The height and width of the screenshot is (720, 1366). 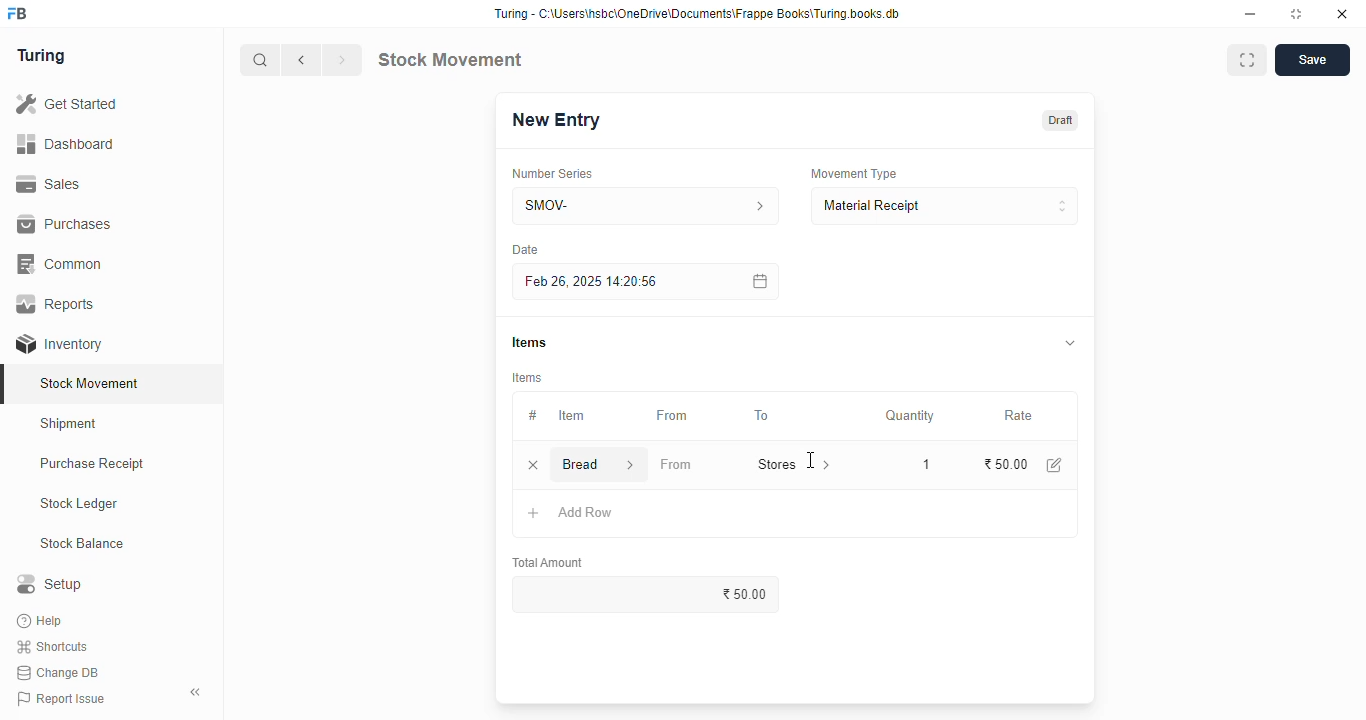 What do you see at coordinates (1247, 60) in the screenshot?
I see `toggle between form and full width` at bounding box center [1247, 60].